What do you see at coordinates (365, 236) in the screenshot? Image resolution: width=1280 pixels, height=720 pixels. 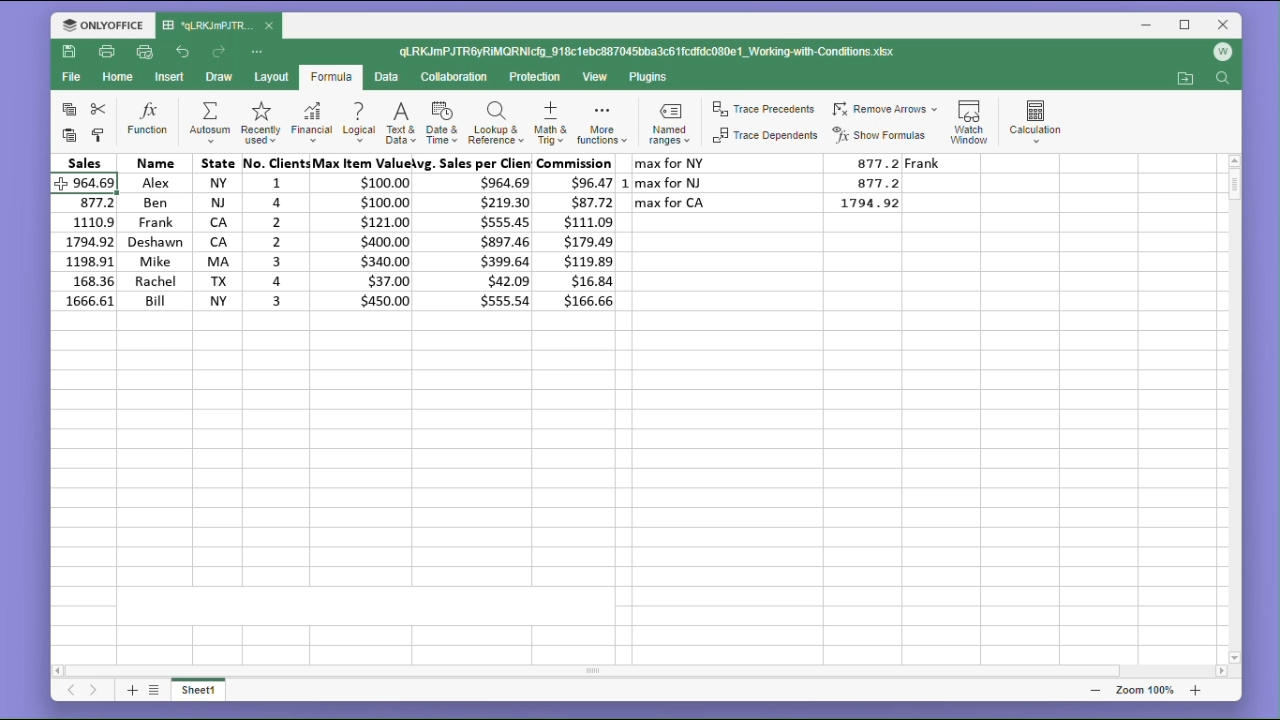 I see `max item values` at bounding box center [365, 236].